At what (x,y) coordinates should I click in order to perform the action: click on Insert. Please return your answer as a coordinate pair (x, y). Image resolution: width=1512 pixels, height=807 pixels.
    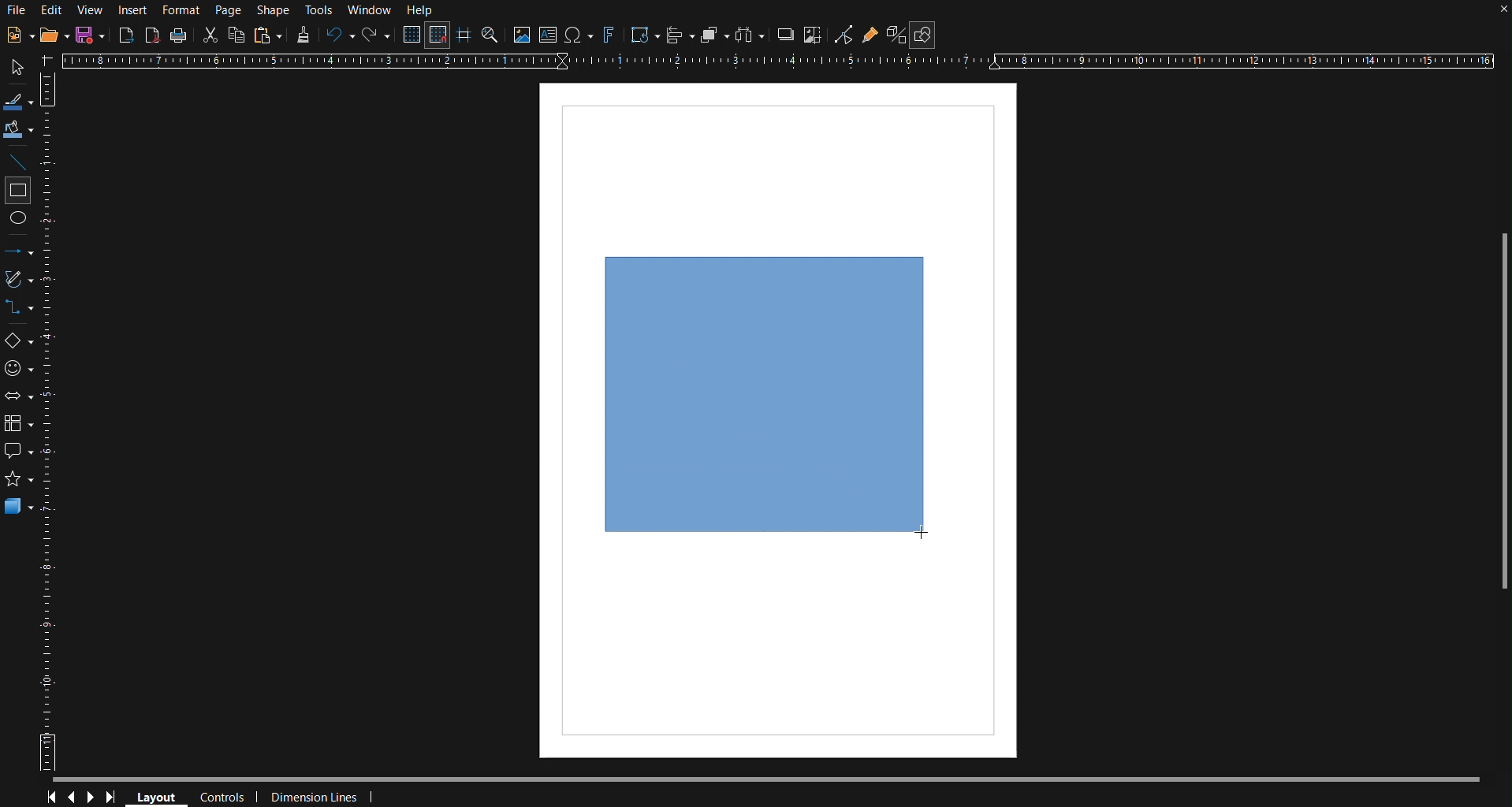
    Looking at the image, I should click on (131, 10).